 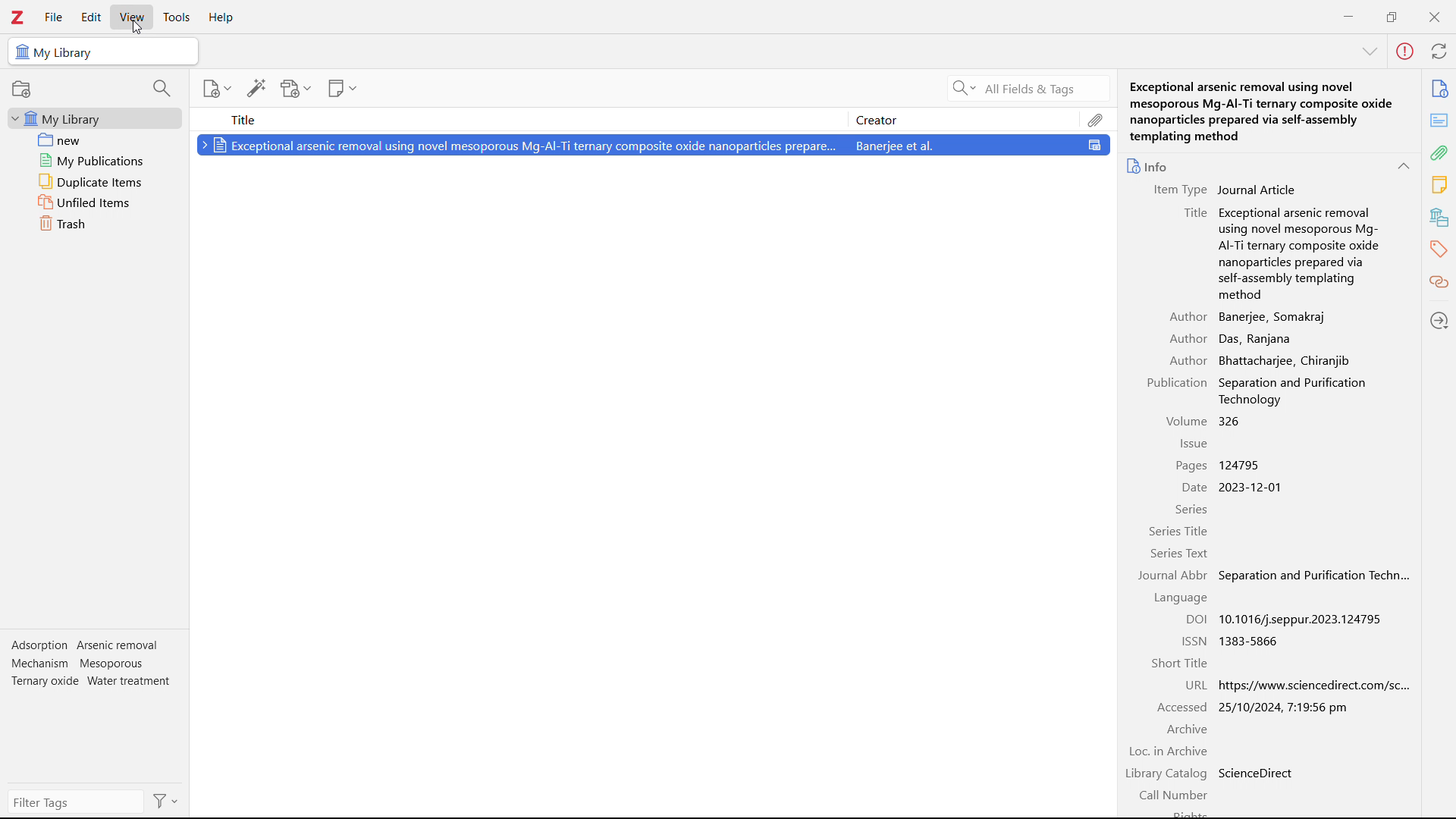 What do you see at coordinates (1263, 110) in the screenshot?
I see `Exceptional arsenic removal using novel
mesoporous Mg-Al-Ti ternary composite oxide
nanoparticles prepared via self-assembly
templating method` at bounding box center [1263, 110].